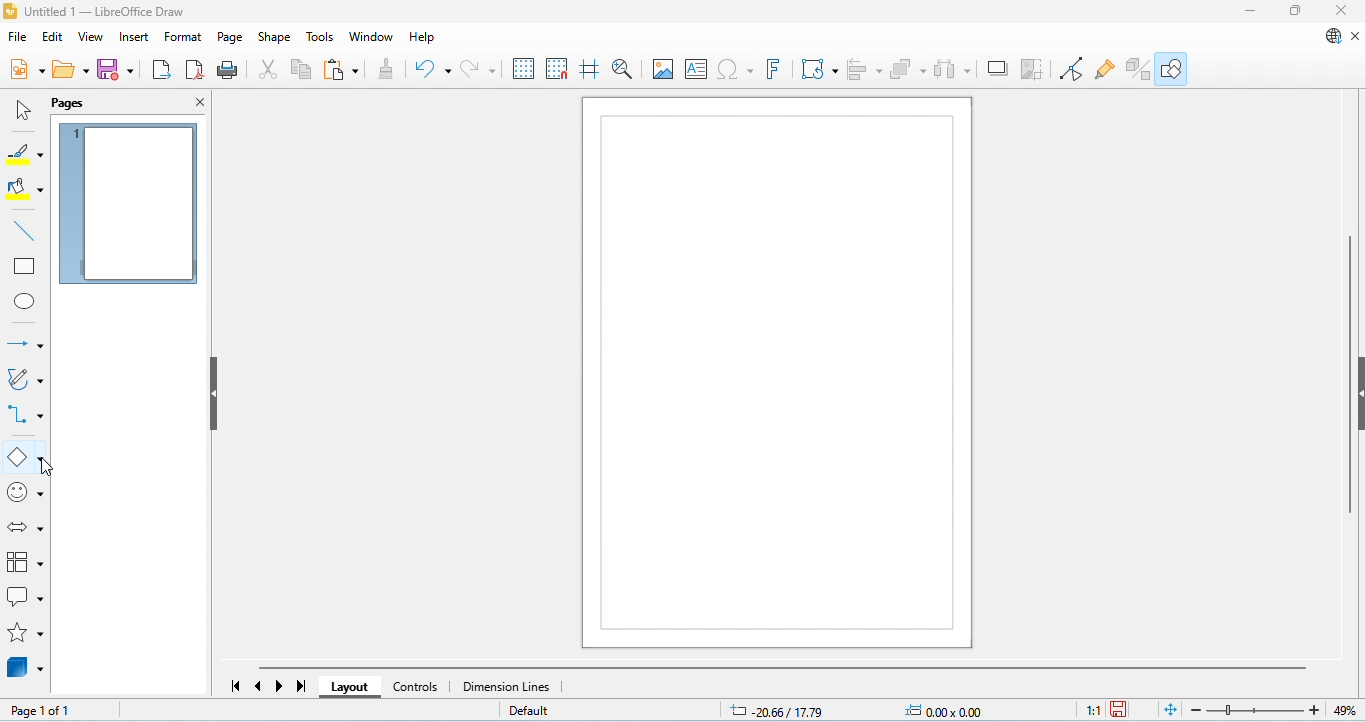 This screenshot has width=1366, height=722. What do you see at coordinates (26, 633) in the screenshot?
I see `stars and banners` at bounding box center [26, 633].